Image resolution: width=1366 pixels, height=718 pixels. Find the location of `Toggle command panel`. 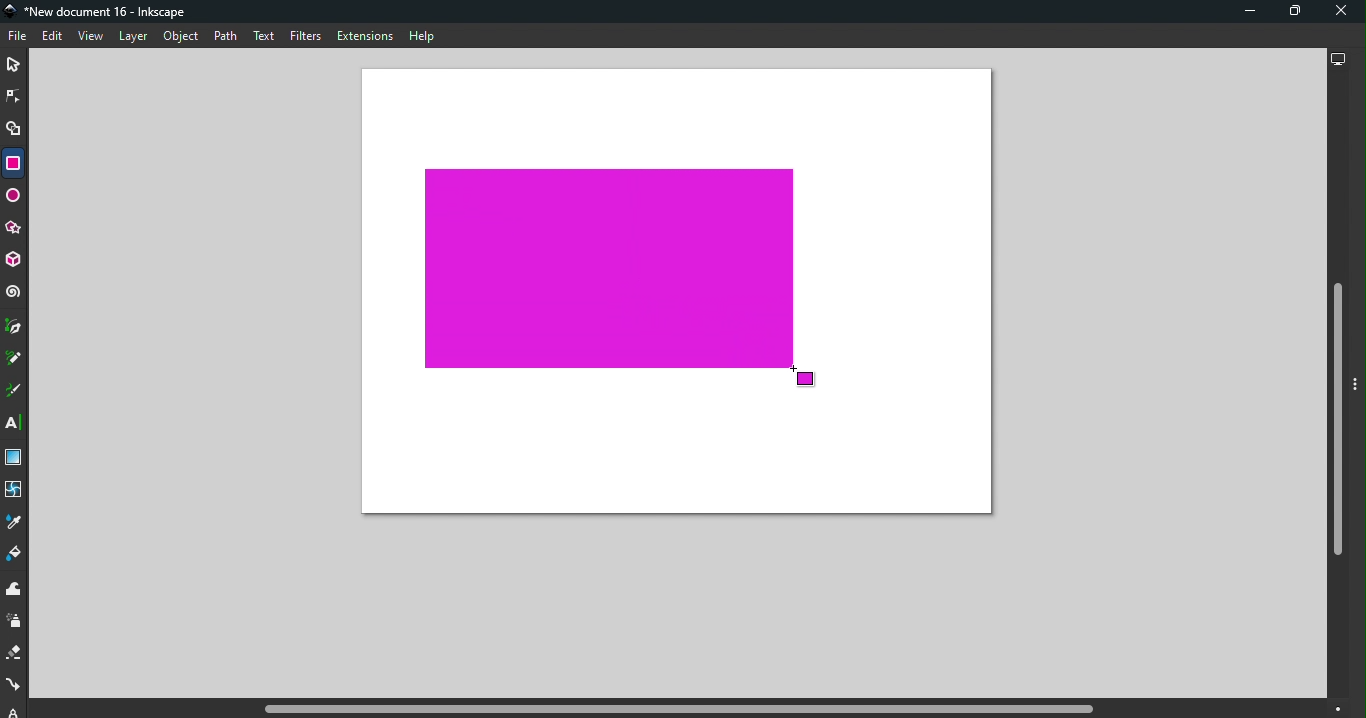

Toggle command panel is located at coordinates (1358, 386).